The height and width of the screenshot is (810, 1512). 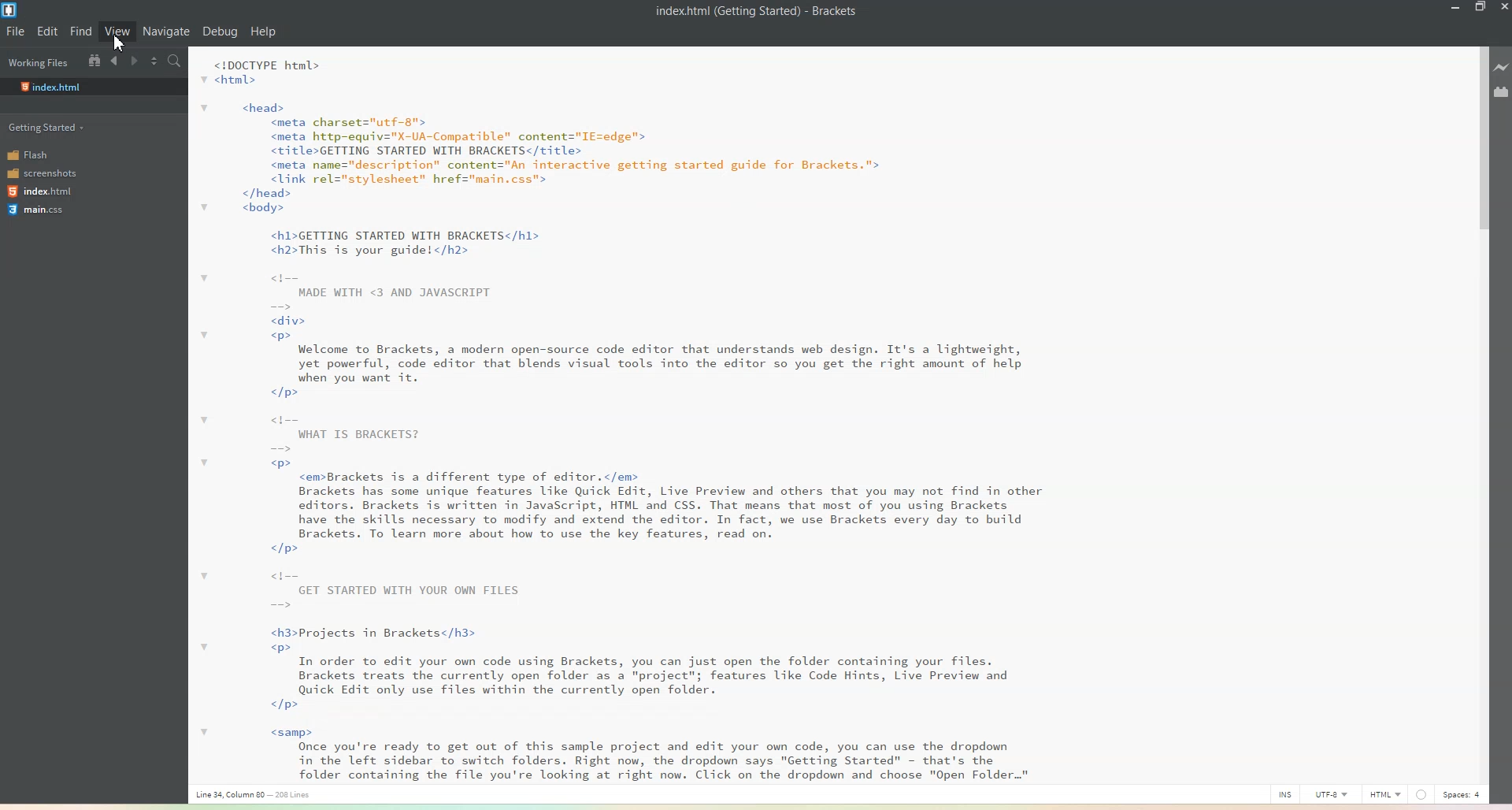 I want to click on File, so click(x=17, y=31).